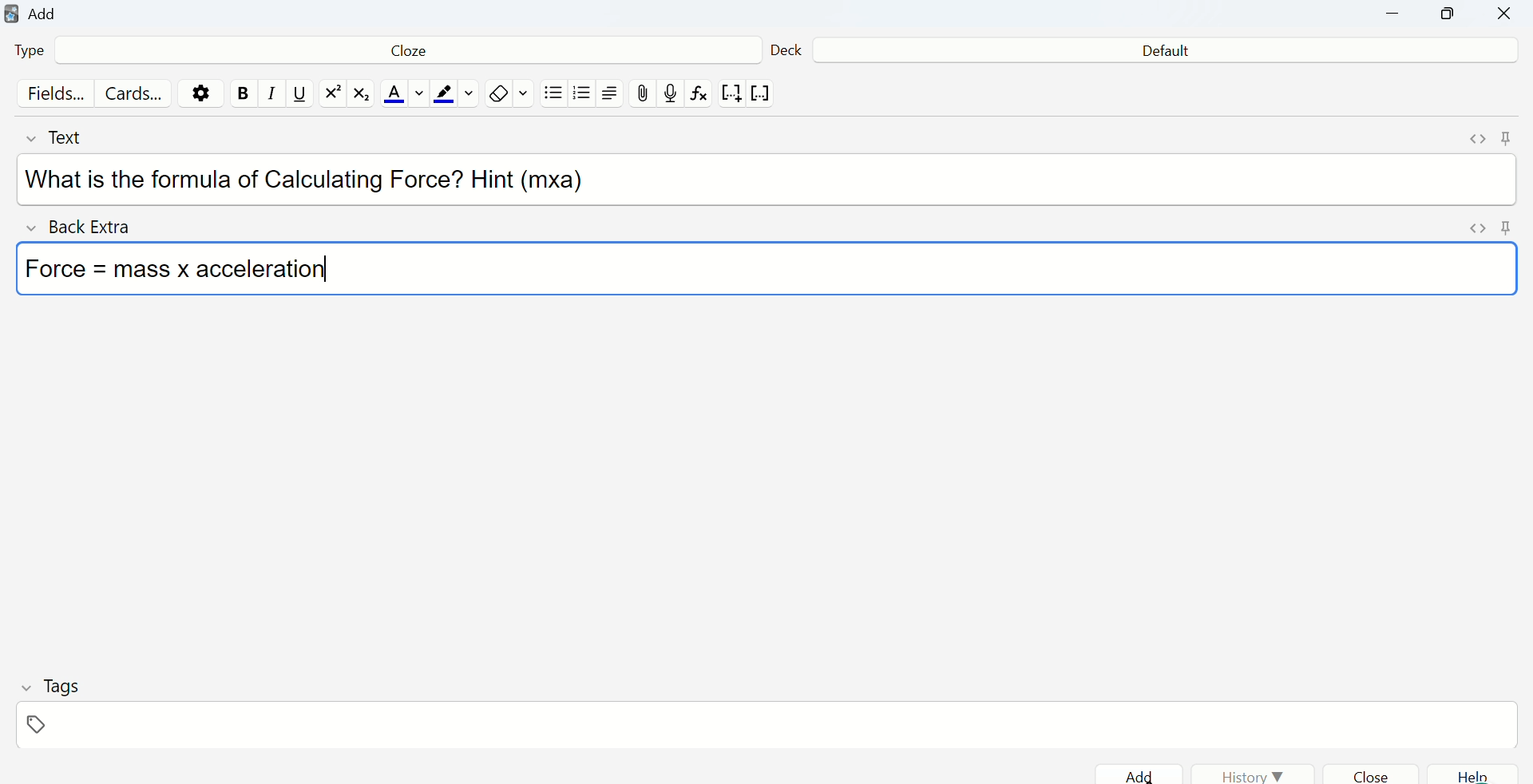  Describe the element at coordinates (614, 95) in the screenshot. I see `Align` at that location.